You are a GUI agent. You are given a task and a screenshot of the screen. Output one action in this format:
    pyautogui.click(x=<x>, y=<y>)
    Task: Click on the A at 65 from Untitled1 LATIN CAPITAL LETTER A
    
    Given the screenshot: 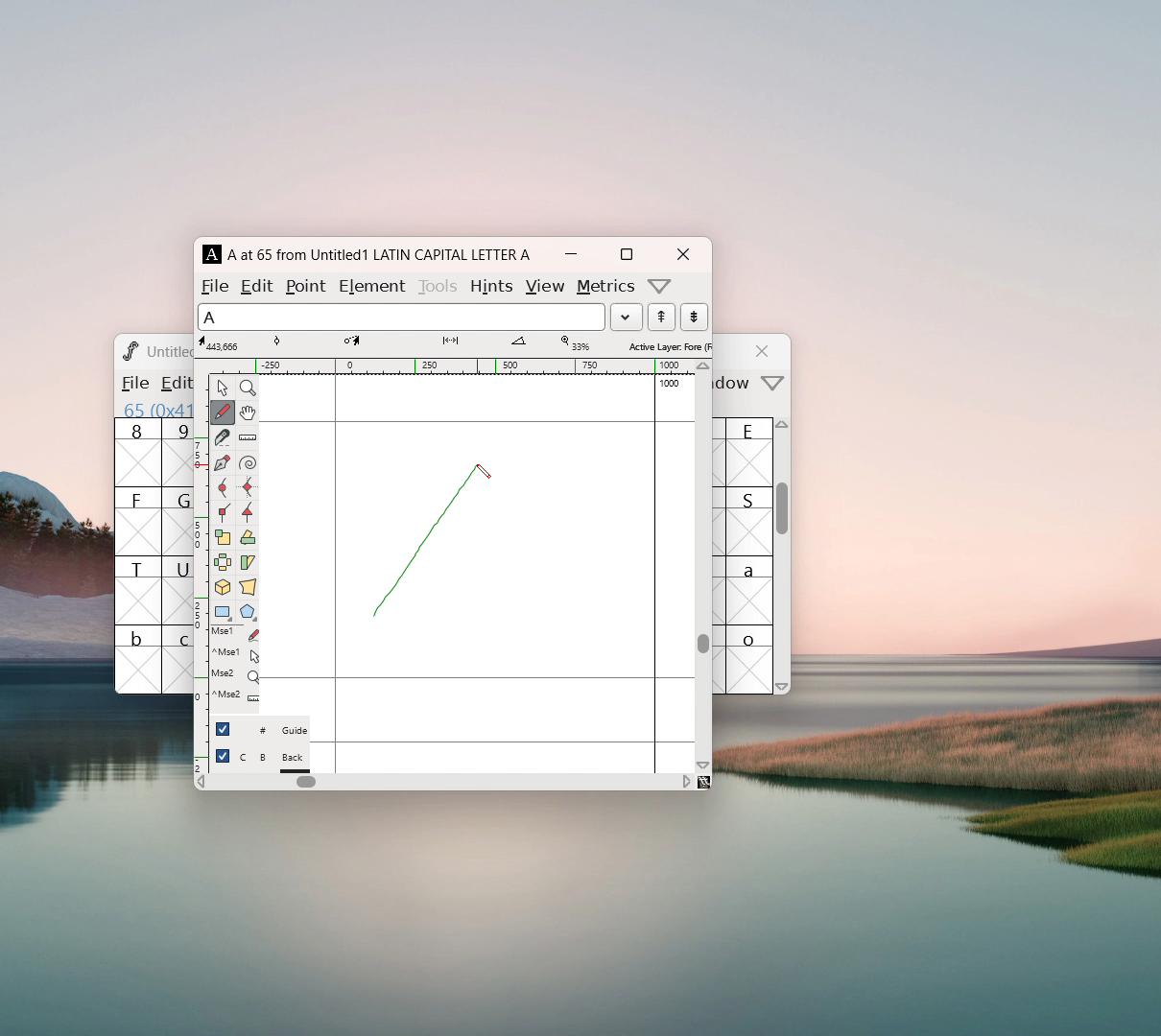 What is the action you would take?
    pyautogui.click(x=379, y=254)
    